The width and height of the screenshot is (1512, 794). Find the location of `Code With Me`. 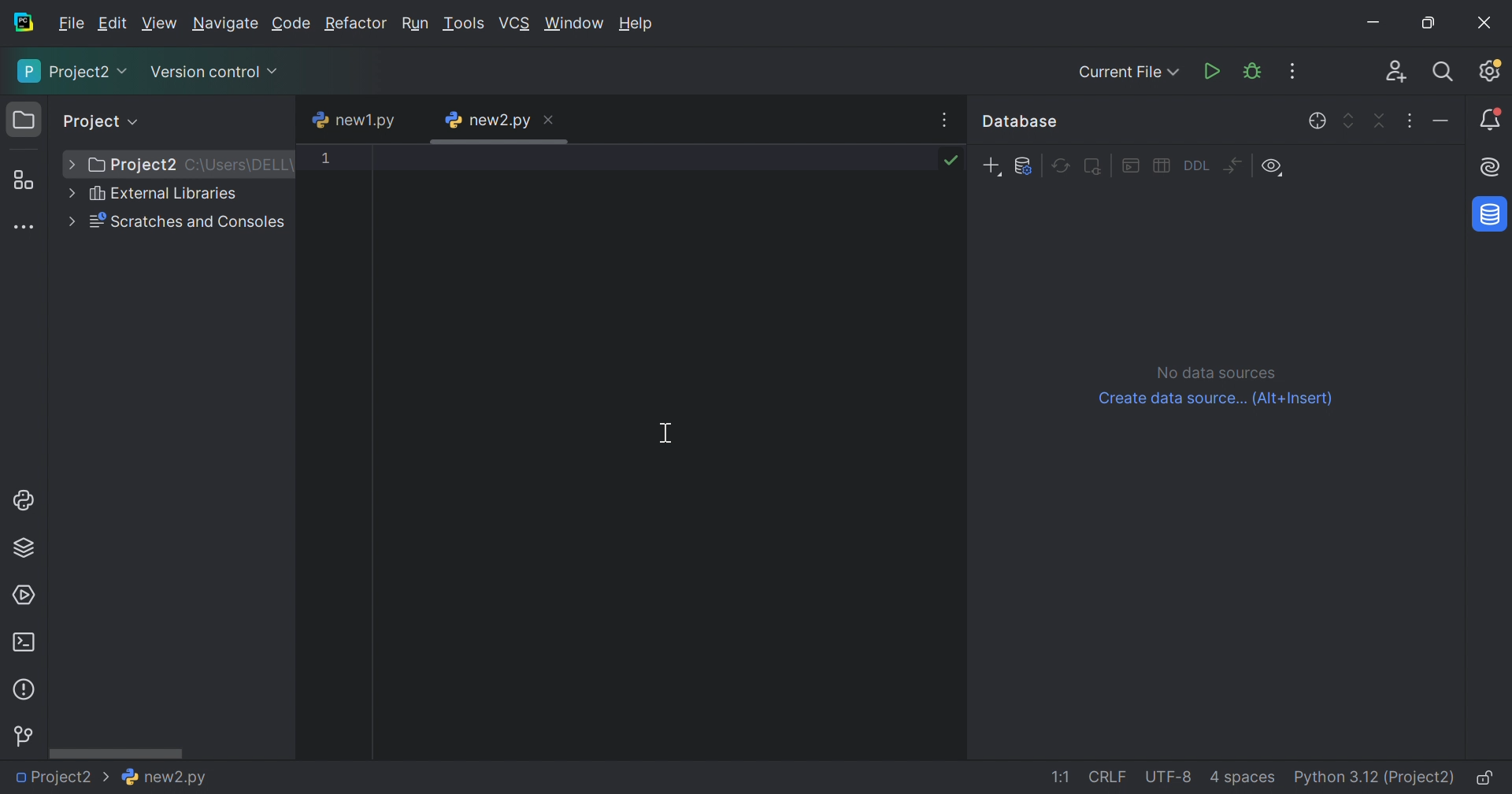

Code With Me is located at coordinates (1396, 71).